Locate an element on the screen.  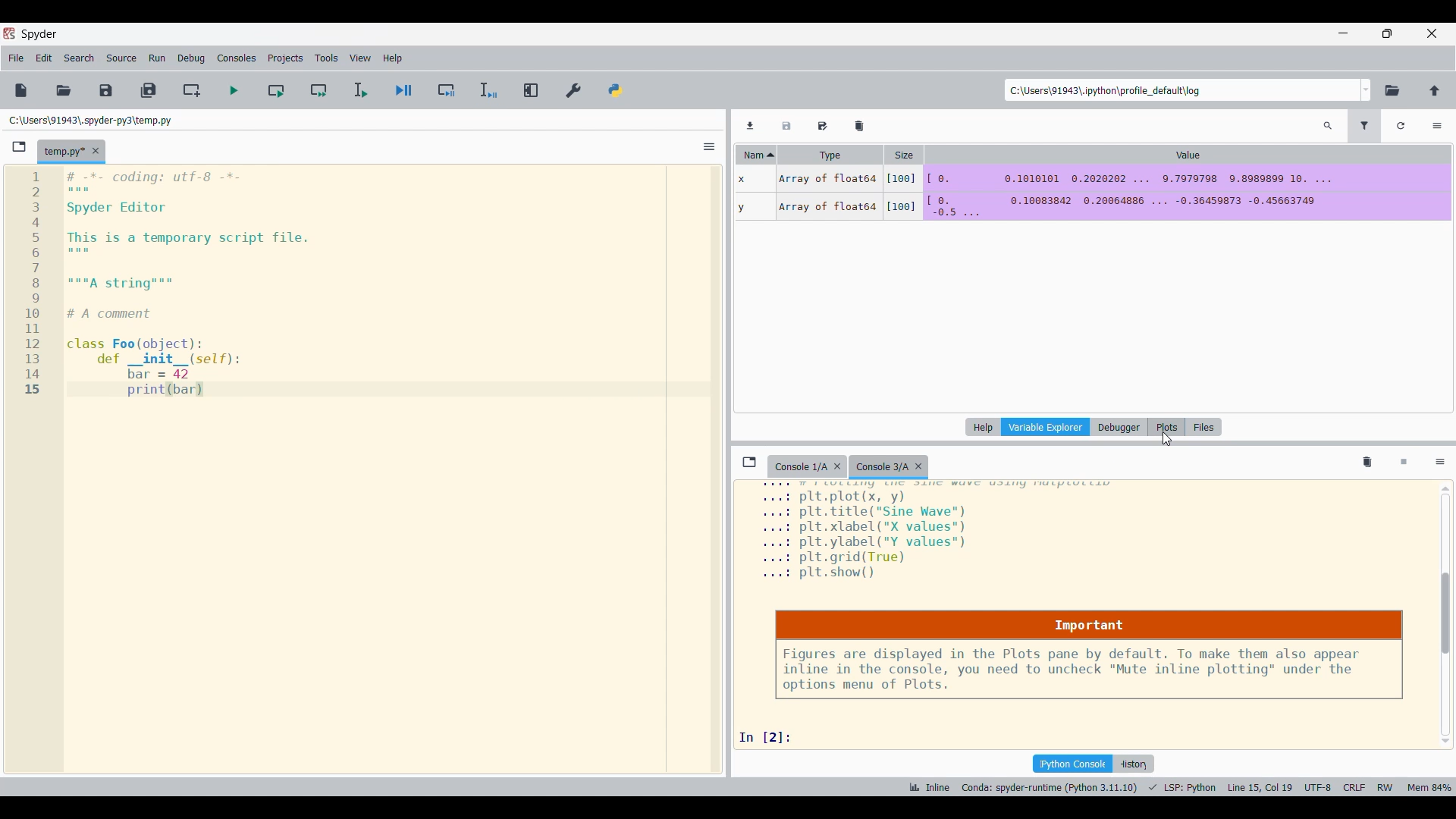
Save data is located at coordinates (787, 126).